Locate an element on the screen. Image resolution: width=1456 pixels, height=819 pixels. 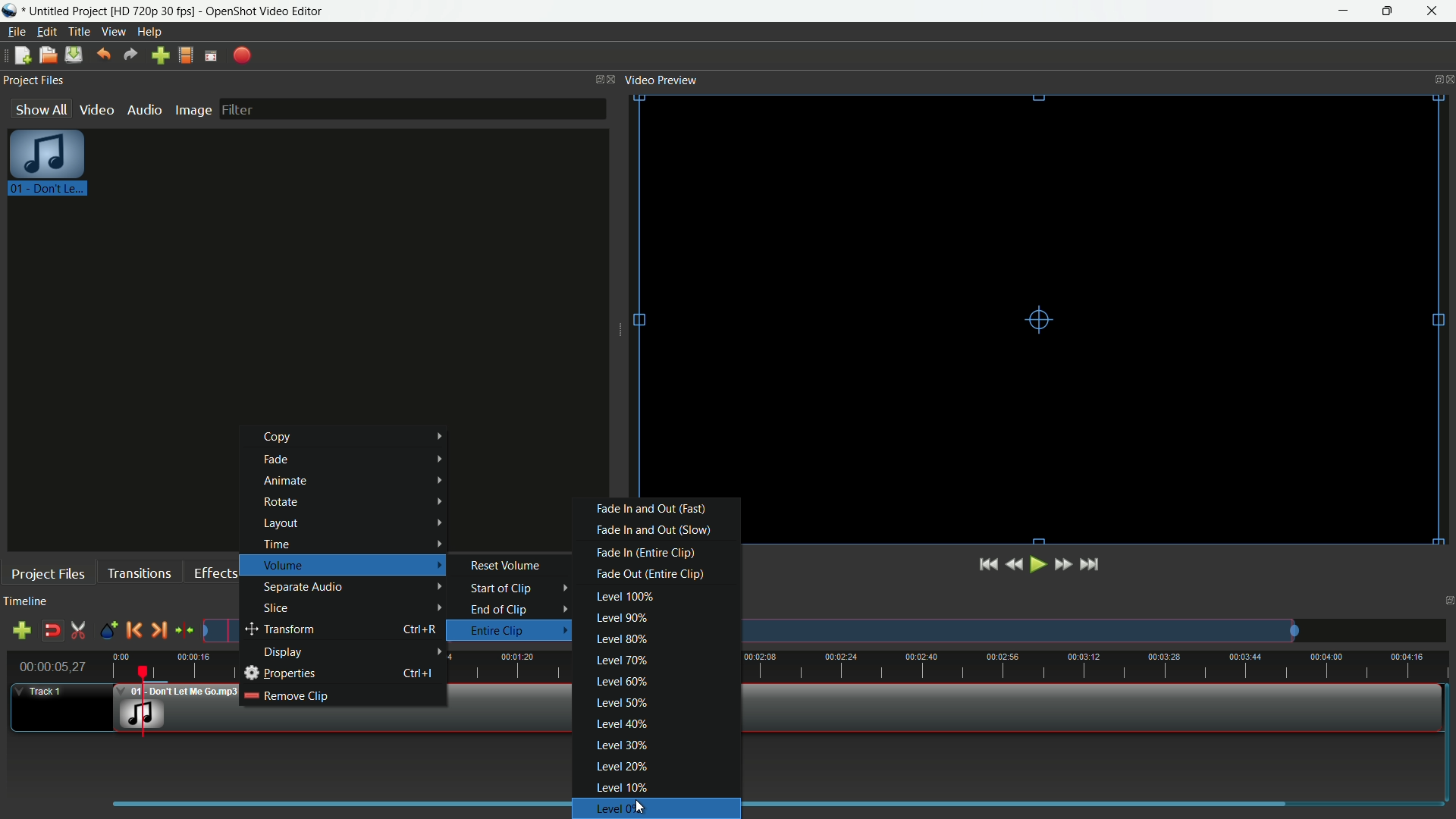
level 50% is located at coordinates (623, 704).